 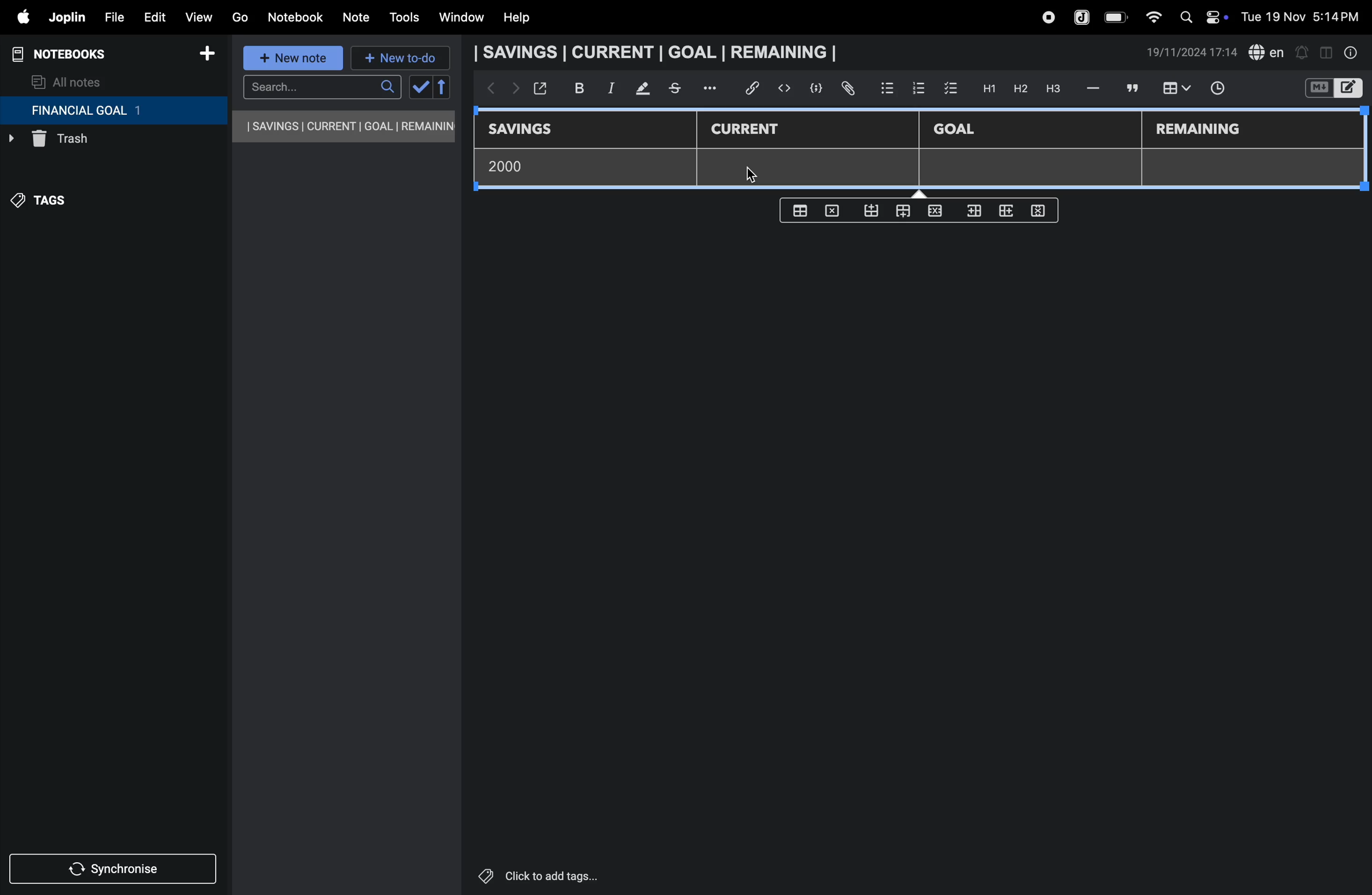 What do you see at coordinates (525, 18) in the screenshot?
I see `help` at bounding box center [525, 18].